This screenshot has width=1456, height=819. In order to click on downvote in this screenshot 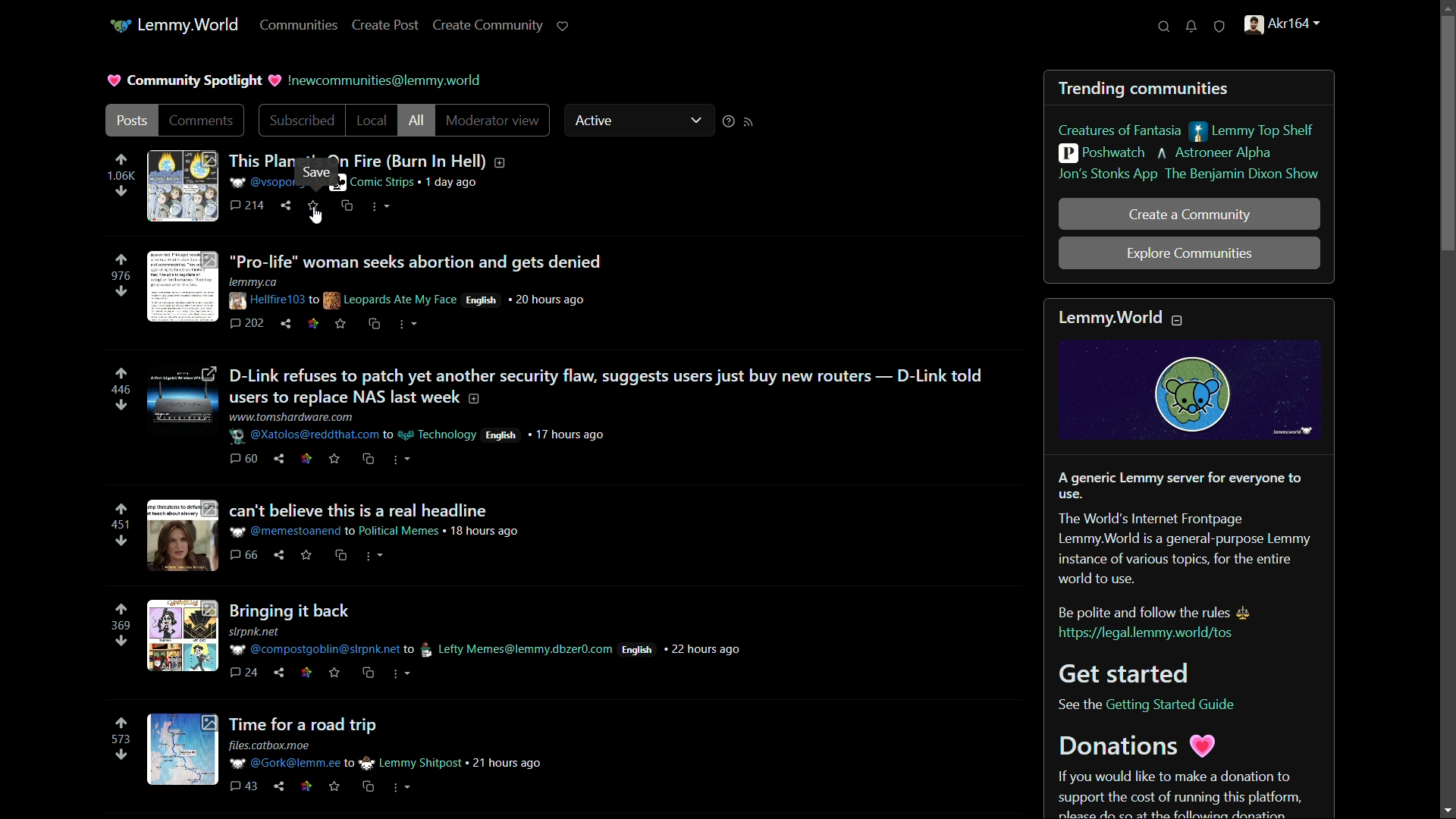, I will do `click(120, 541)`.